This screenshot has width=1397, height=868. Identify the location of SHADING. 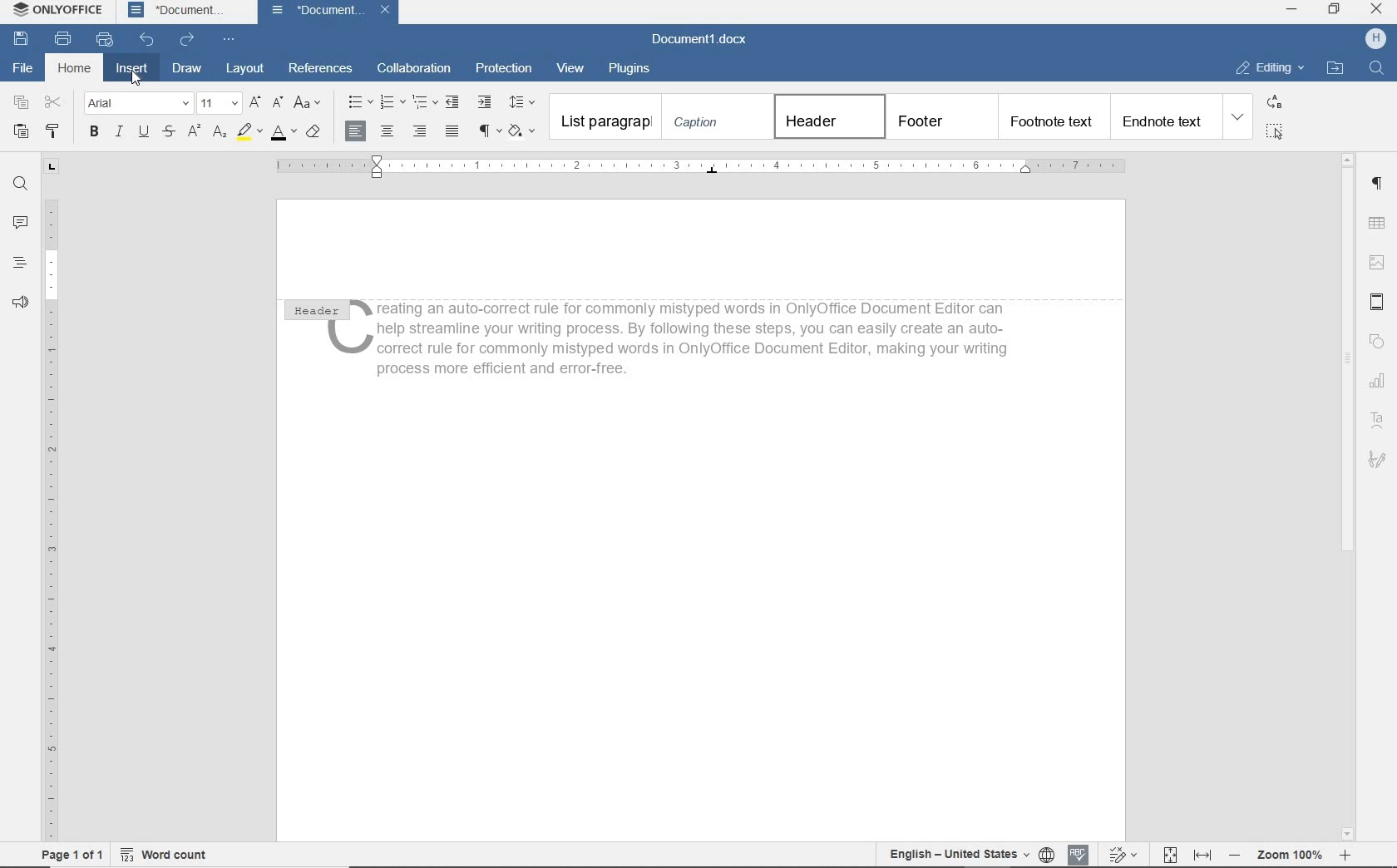
(524, 132).